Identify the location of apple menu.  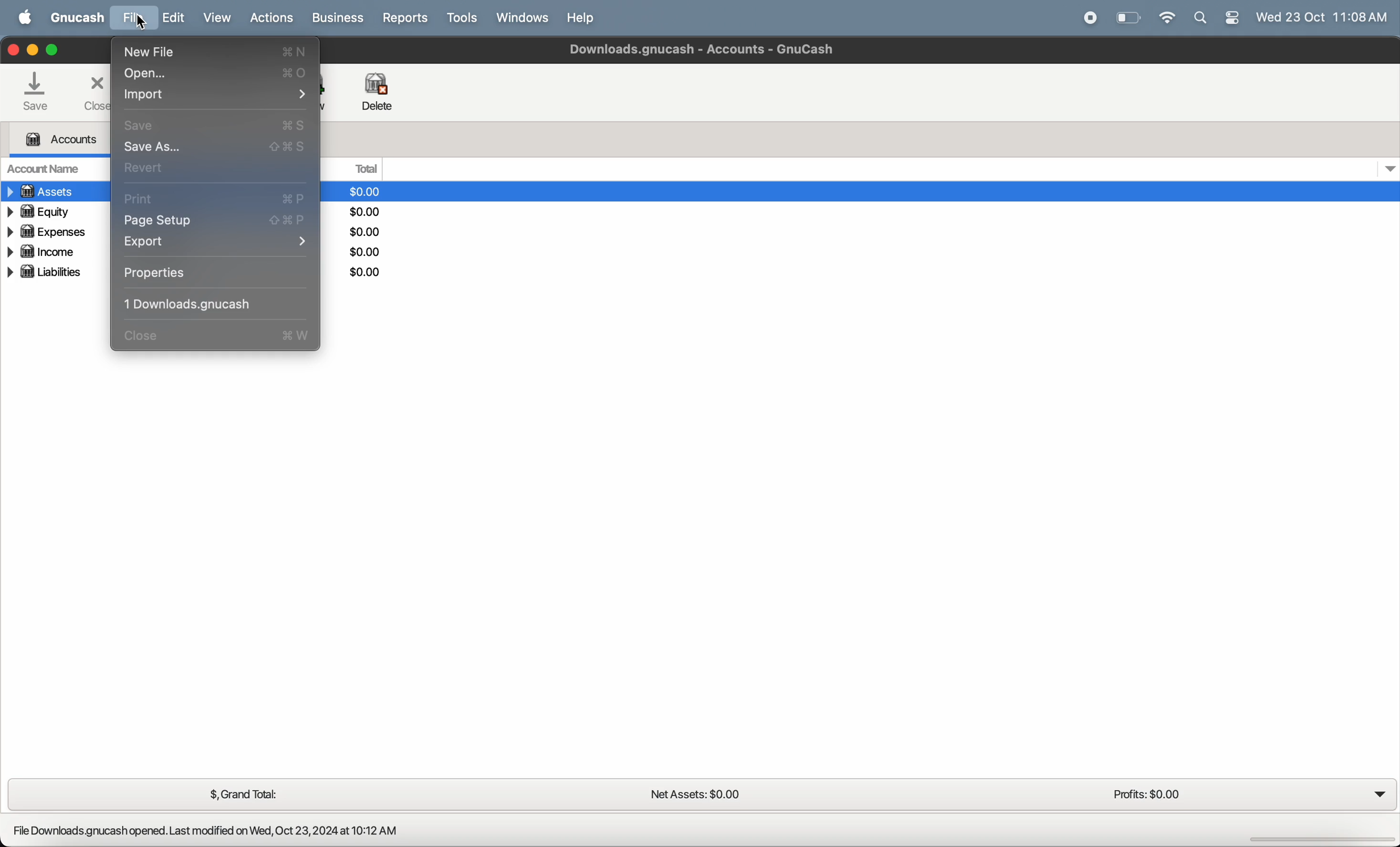
(19, 18).